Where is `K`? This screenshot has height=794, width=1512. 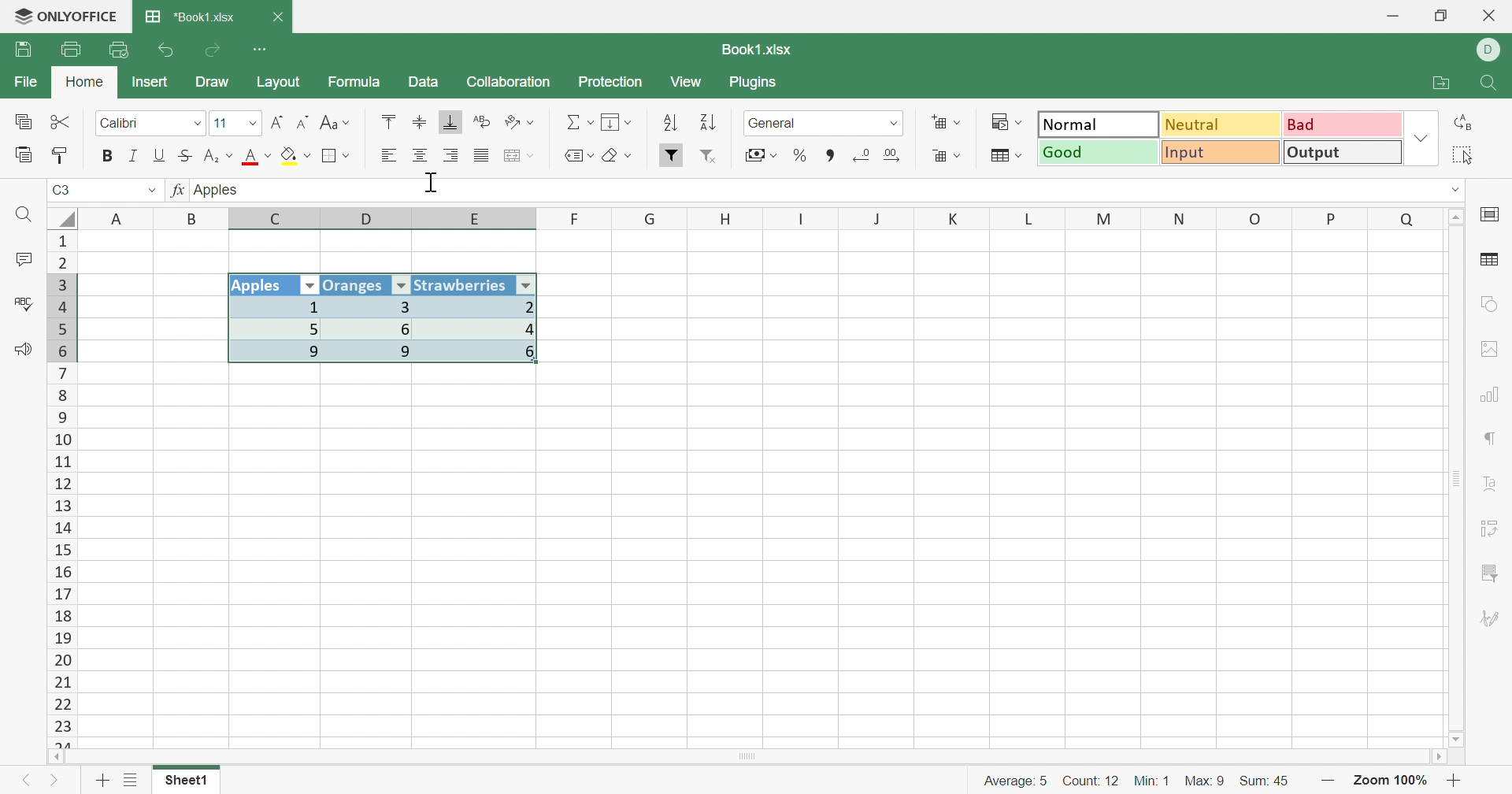
K is located at coordinates (954, 220).